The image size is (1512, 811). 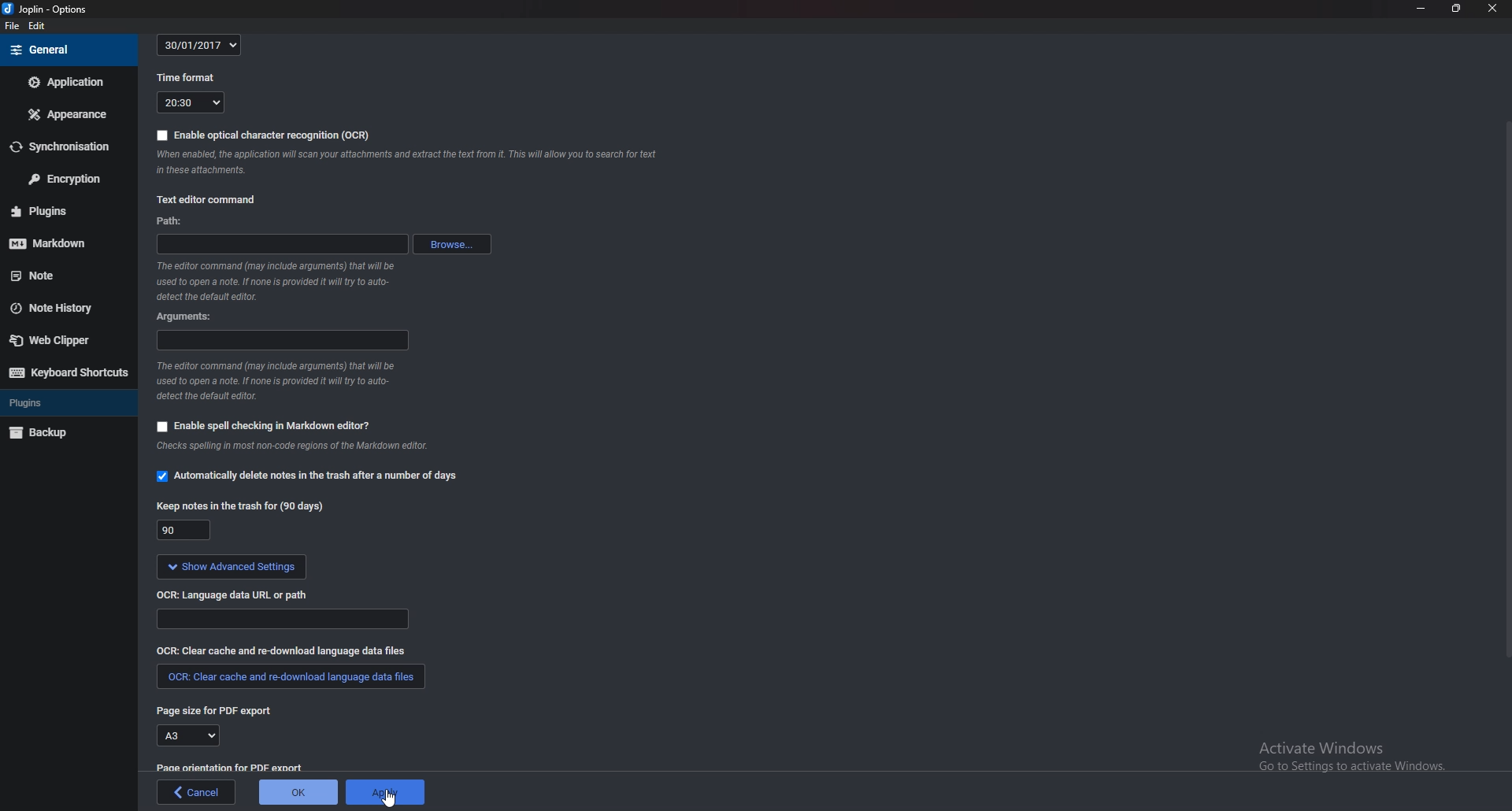 What do you see at coordinates (209, 198) in the screenshot?
I see `Text editor command` at bounding box center [209, 198].